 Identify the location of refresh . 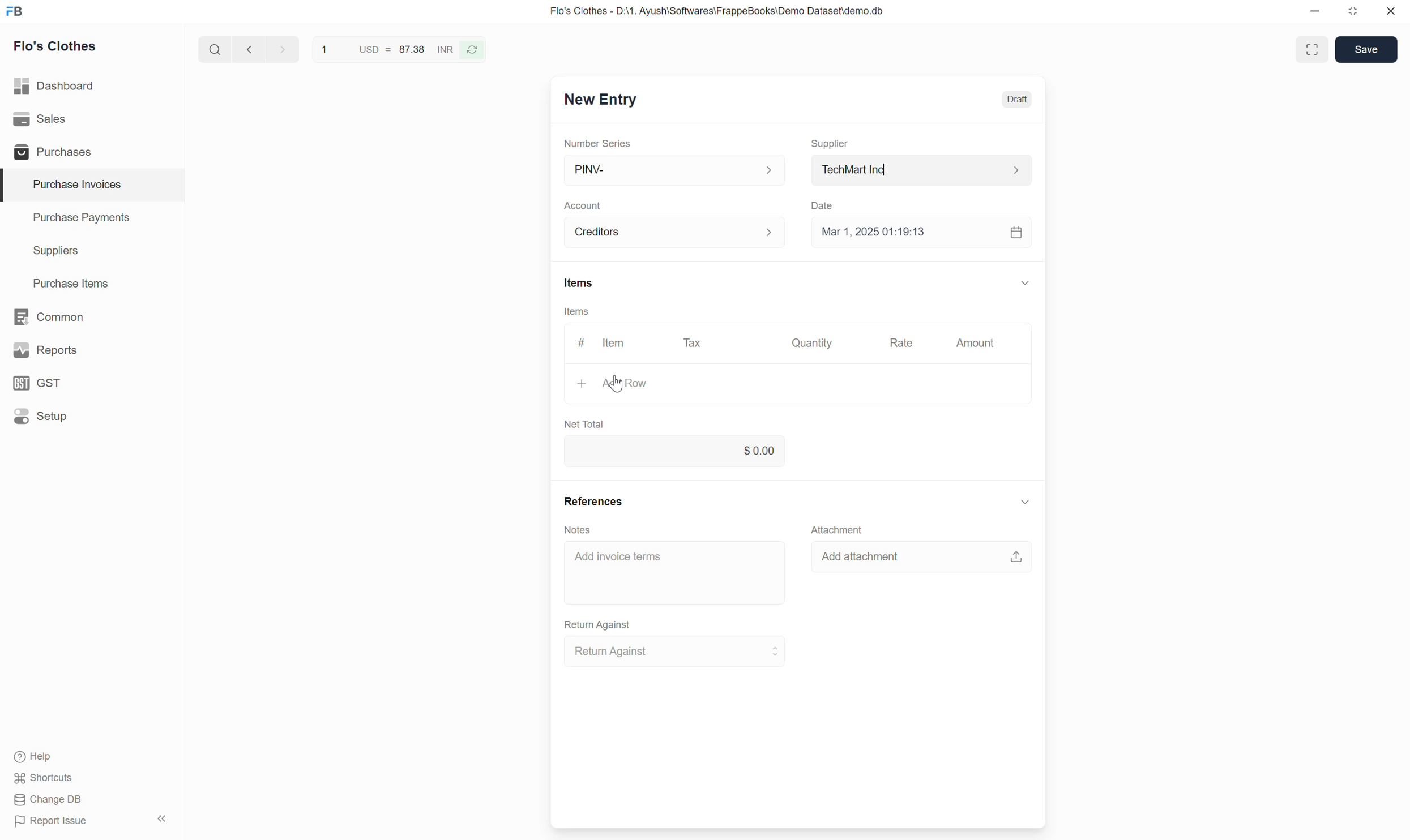
(474, 49).